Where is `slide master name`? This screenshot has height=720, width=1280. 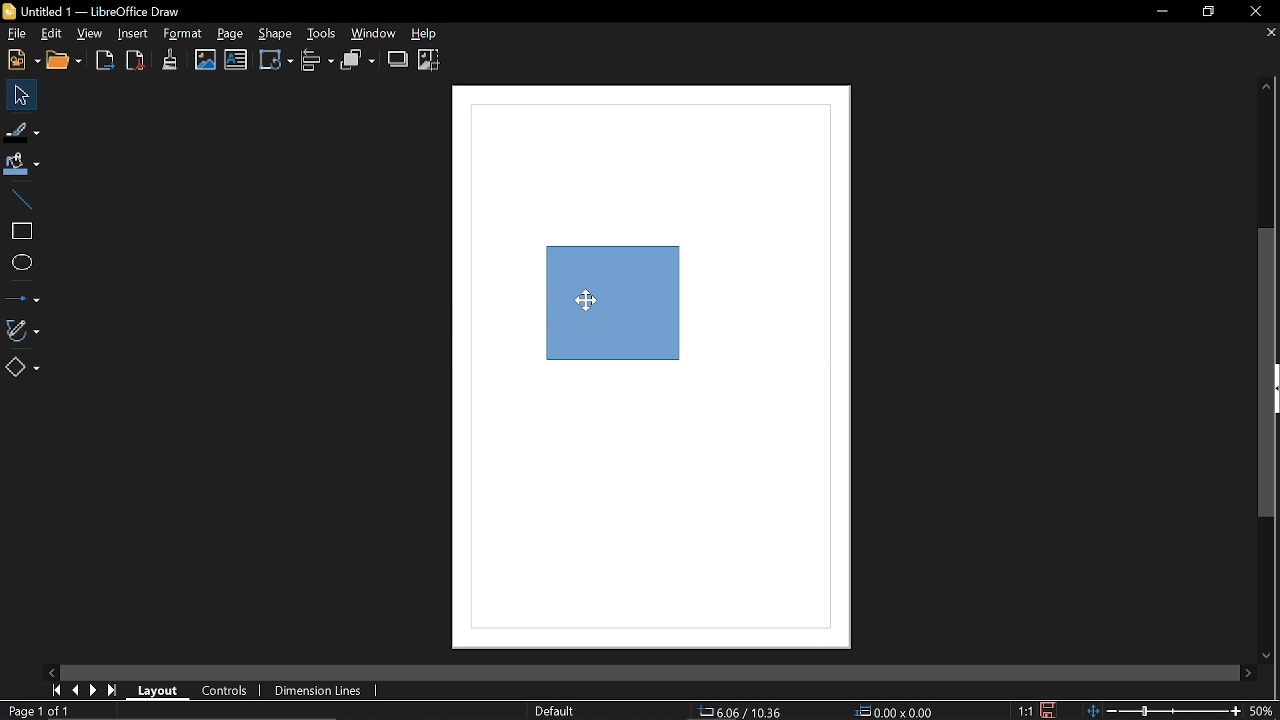
slide master name is located at coordinates (554, 712).